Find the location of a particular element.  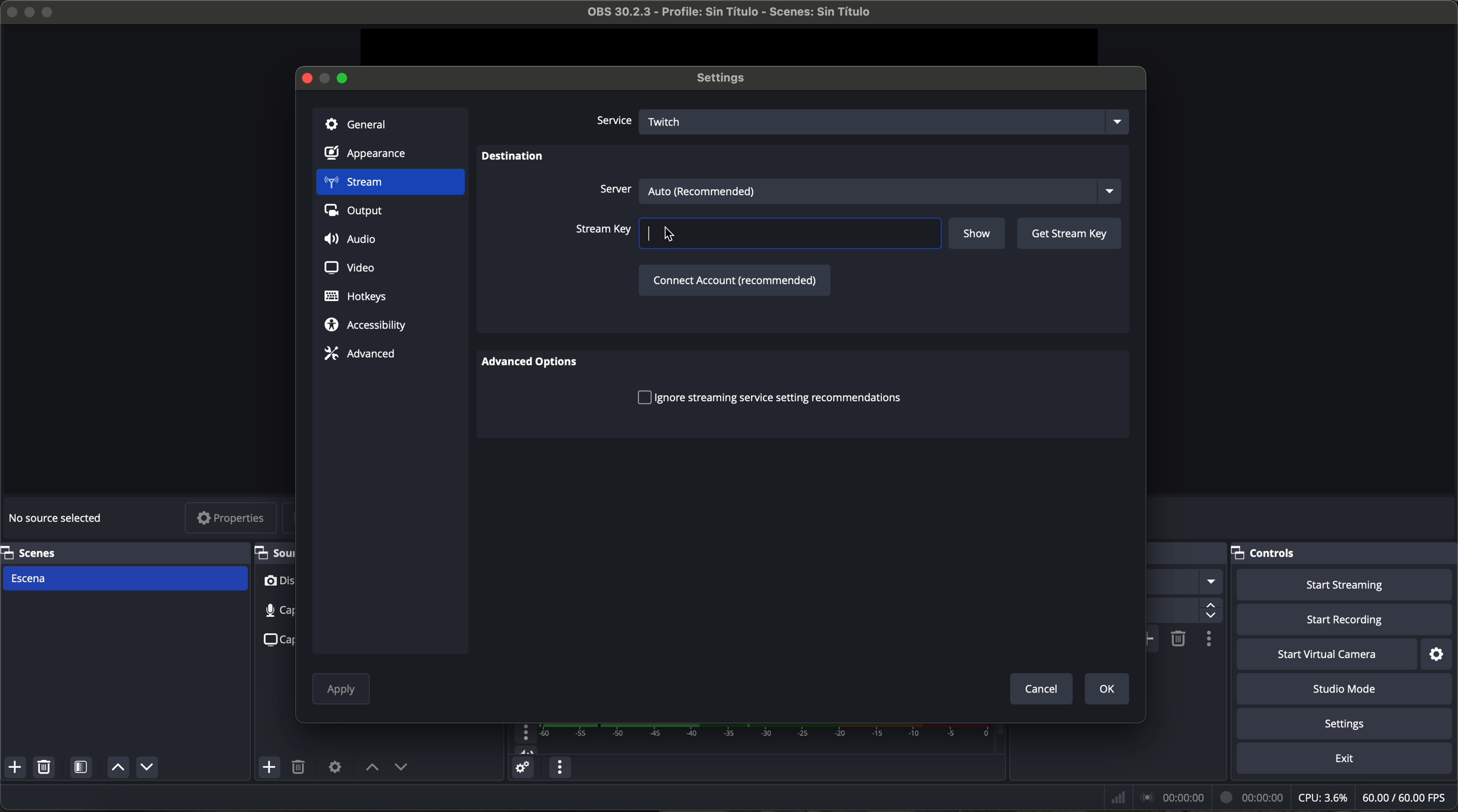

output is located at coordinates (358, 213).